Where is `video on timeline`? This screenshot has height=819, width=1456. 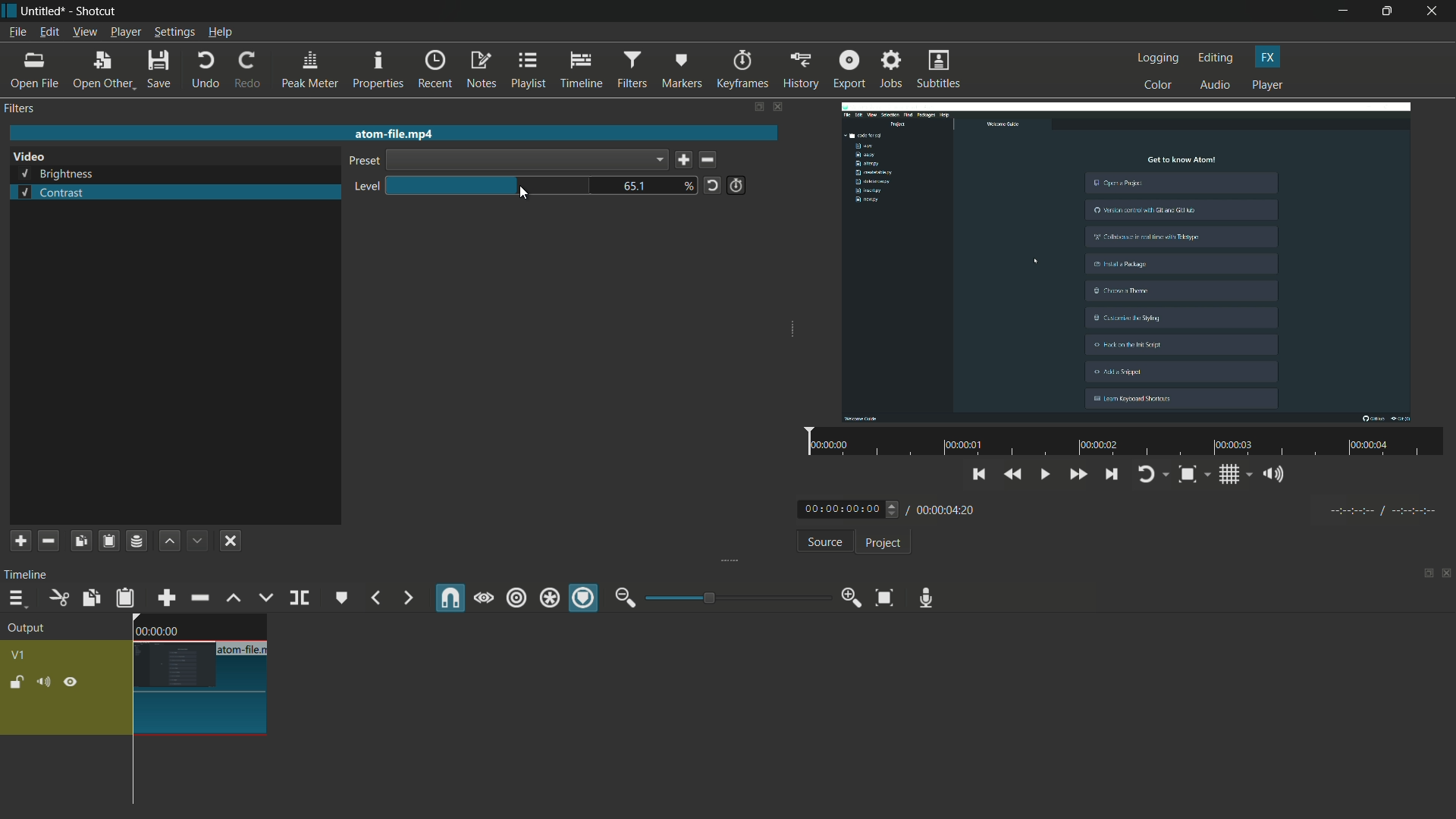 video on timeline is located at coordinates (198, 674).